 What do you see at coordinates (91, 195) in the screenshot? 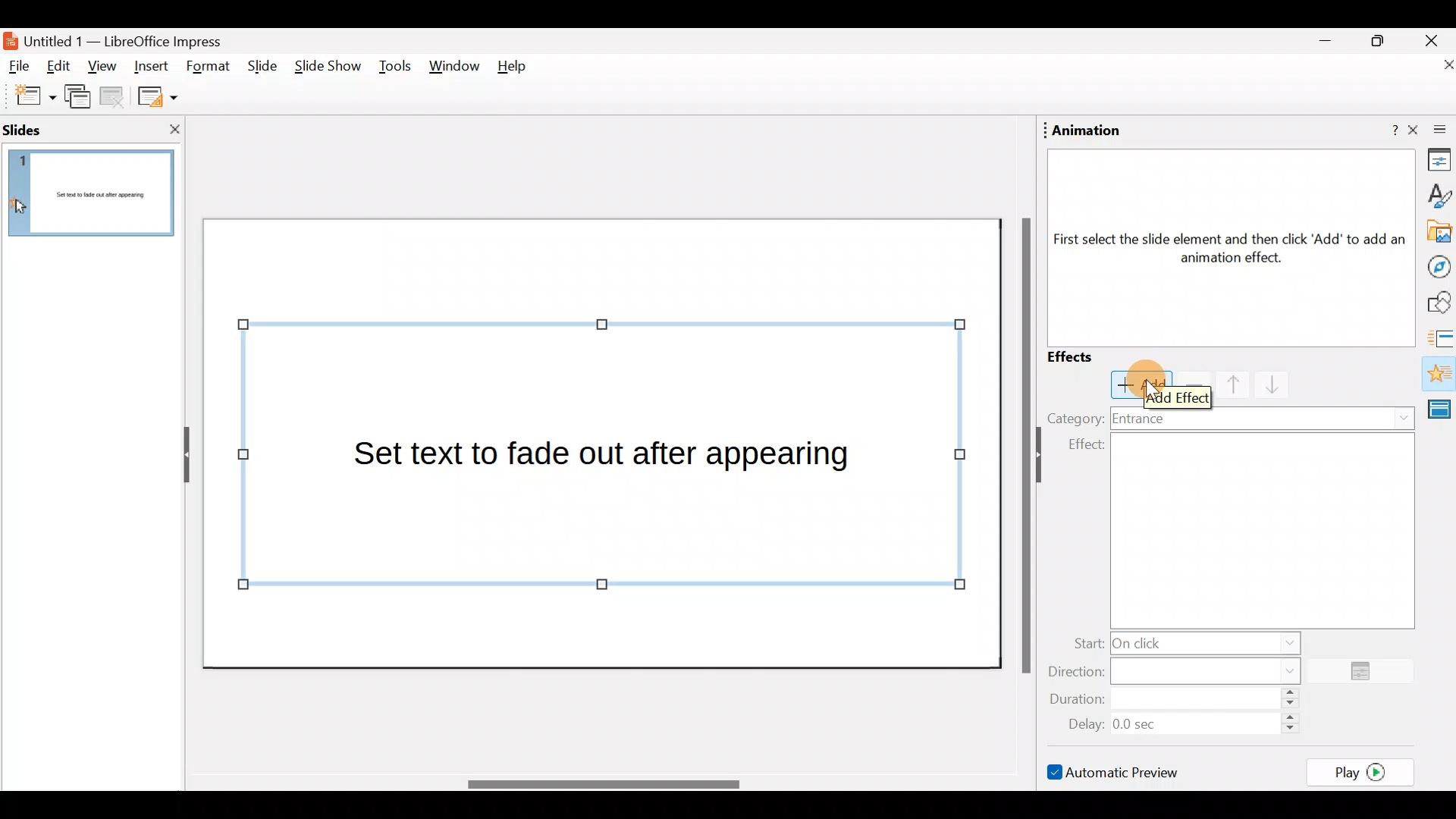
I see `Slide pane` at bounding box center [91, 195].